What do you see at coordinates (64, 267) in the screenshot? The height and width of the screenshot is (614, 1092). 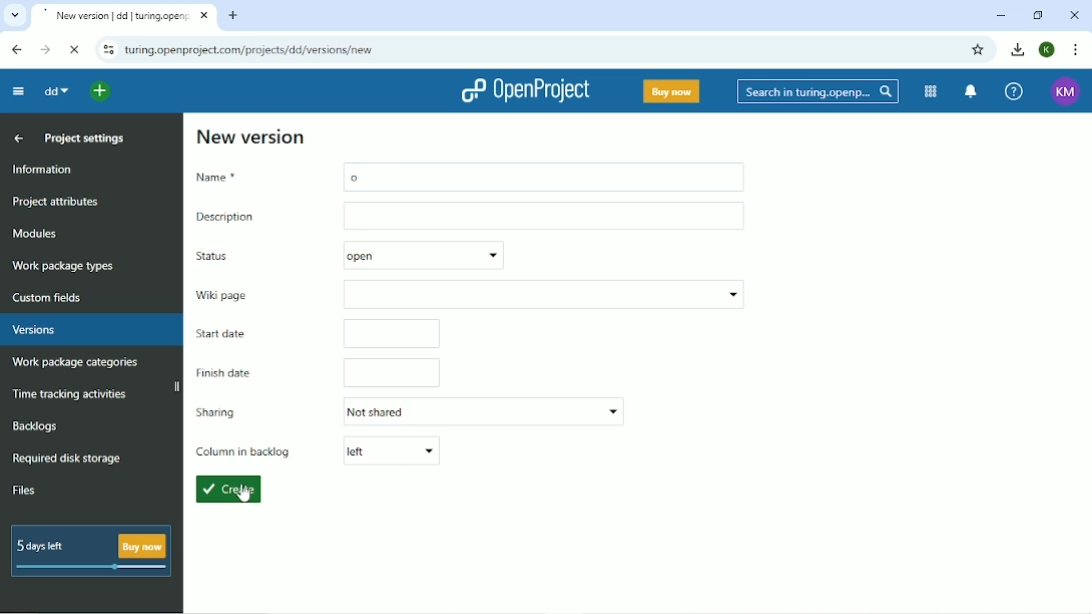 I see `Work package types` at bounding box center [64, 267].